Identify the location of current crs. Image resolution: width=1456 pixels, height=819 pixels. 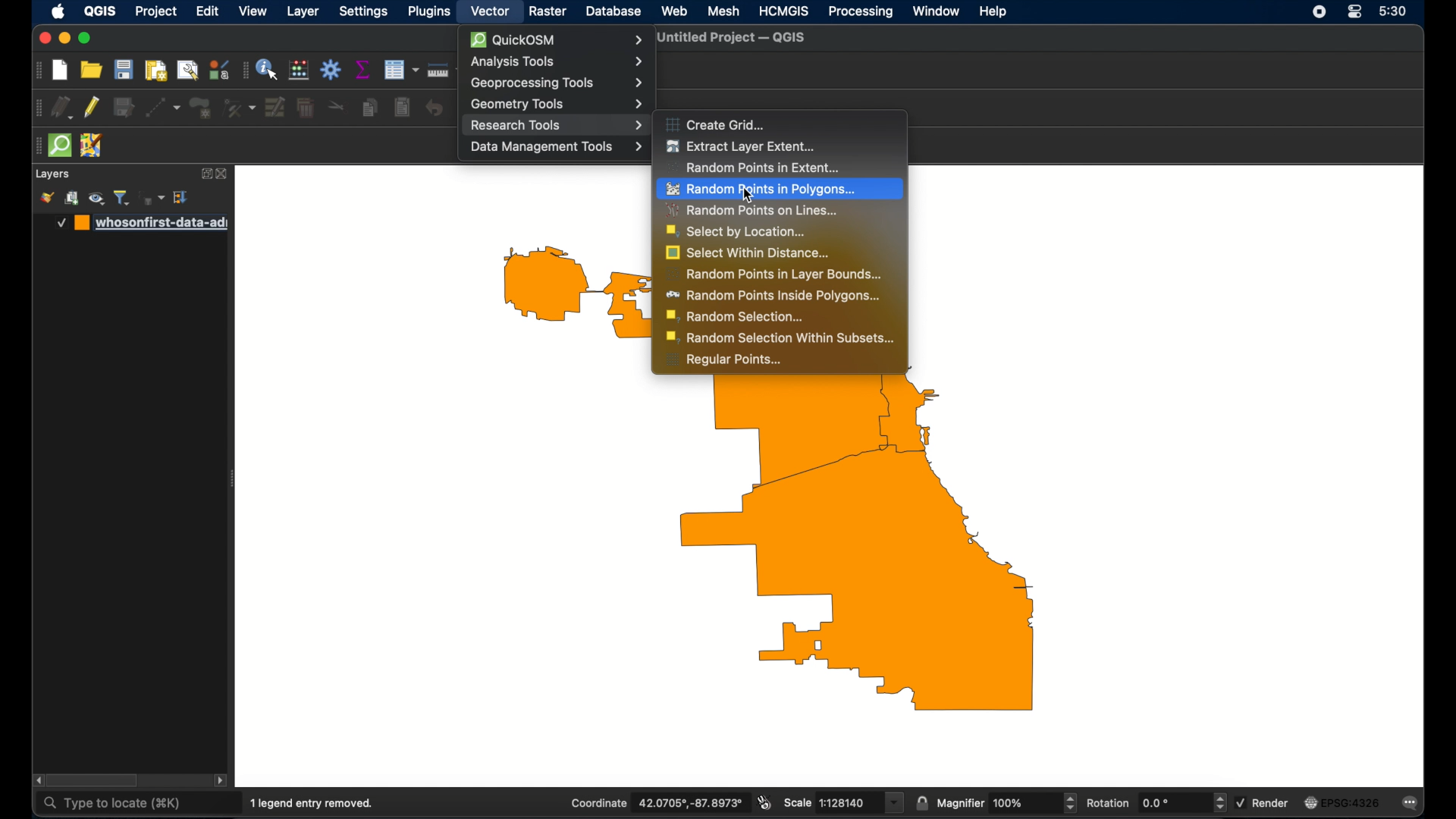
(1341, 803).